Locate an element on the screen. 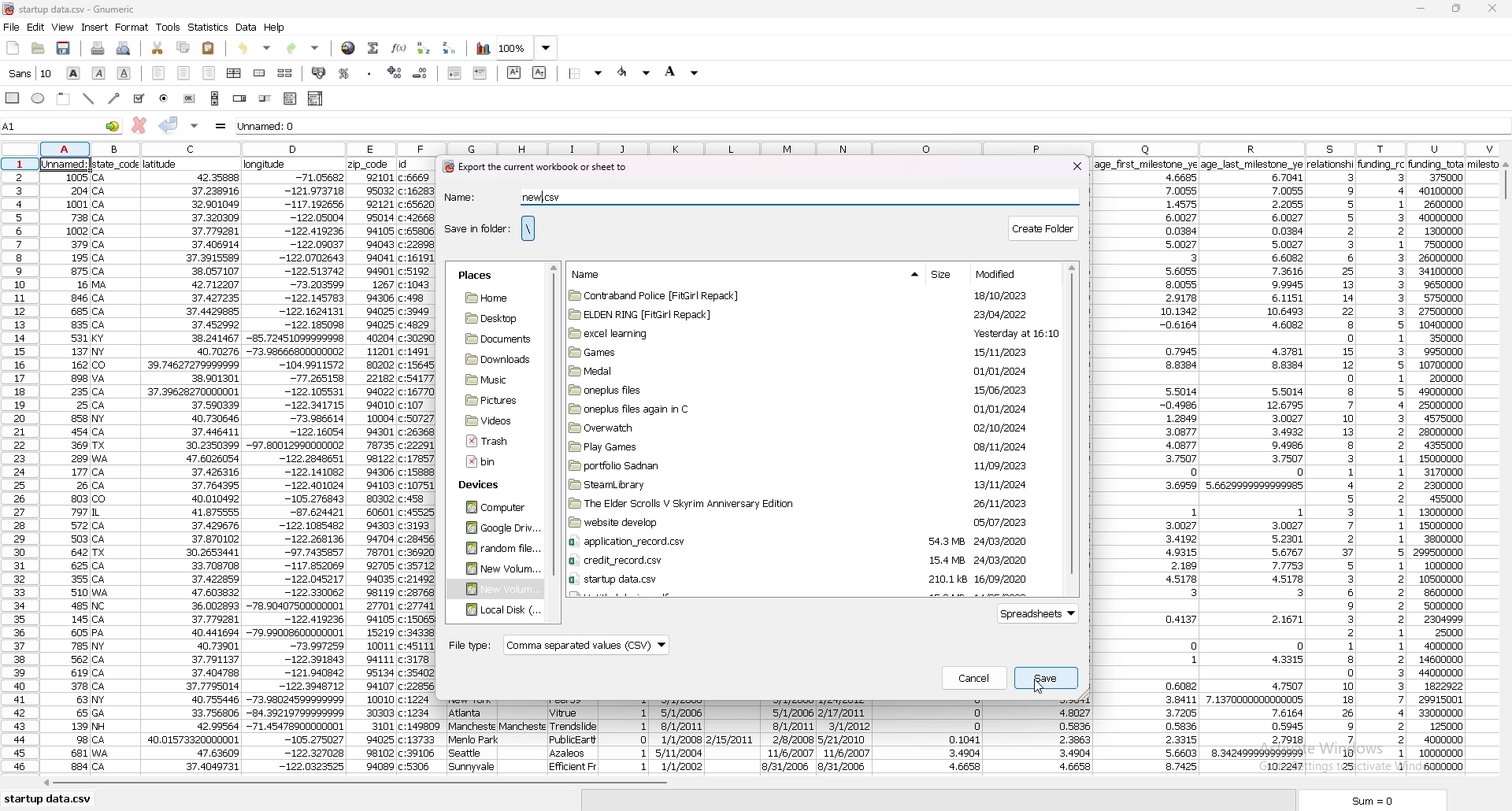  data is located at coordinates (1382, 464).